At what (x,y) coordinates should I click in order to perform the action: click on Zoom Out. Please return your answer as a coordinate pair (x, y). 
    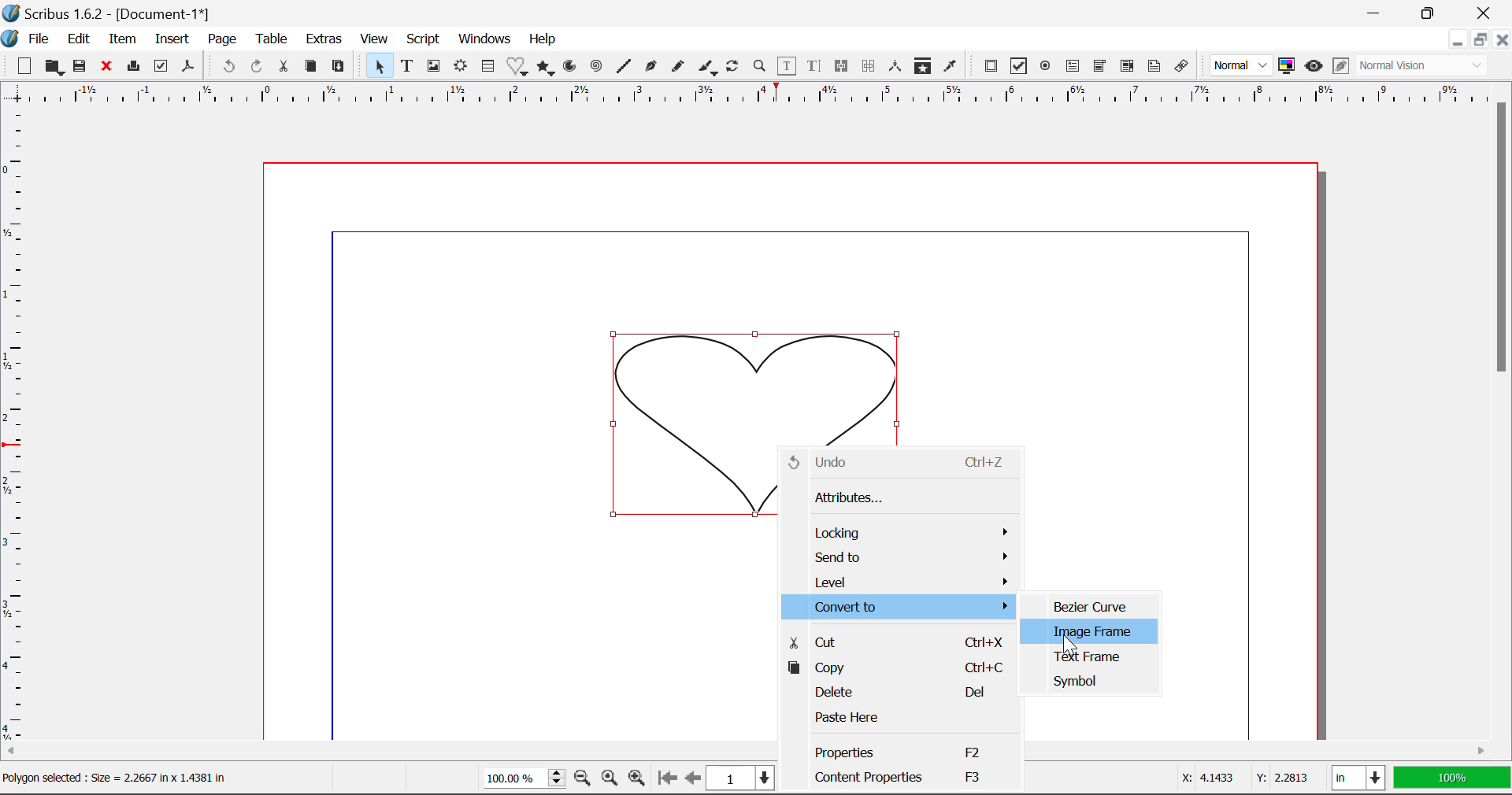
    Looking at the image, I should click on (583, 779).